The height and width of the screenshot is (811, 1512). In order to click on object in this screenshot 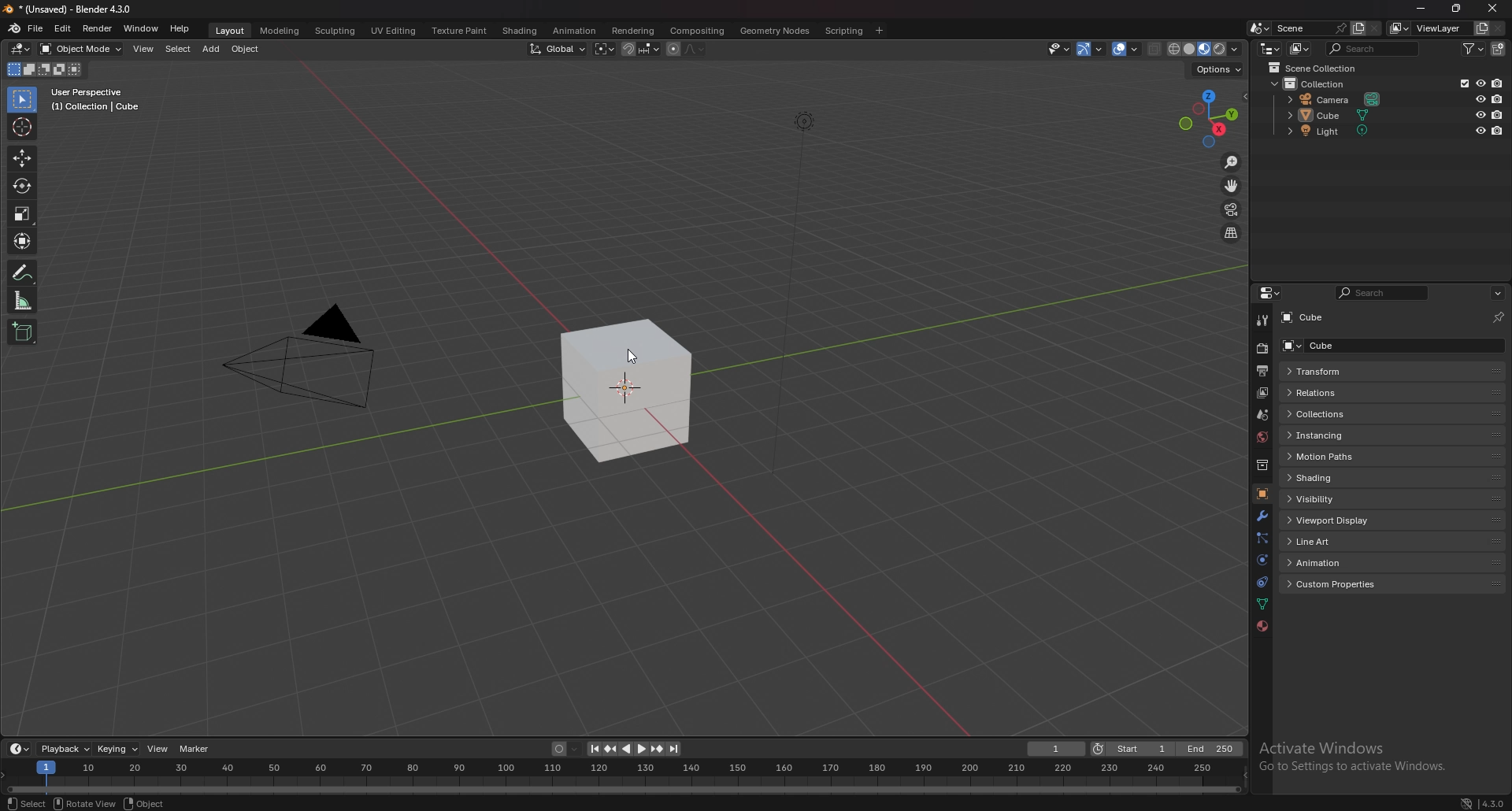, I will do `click(246, 50)`.